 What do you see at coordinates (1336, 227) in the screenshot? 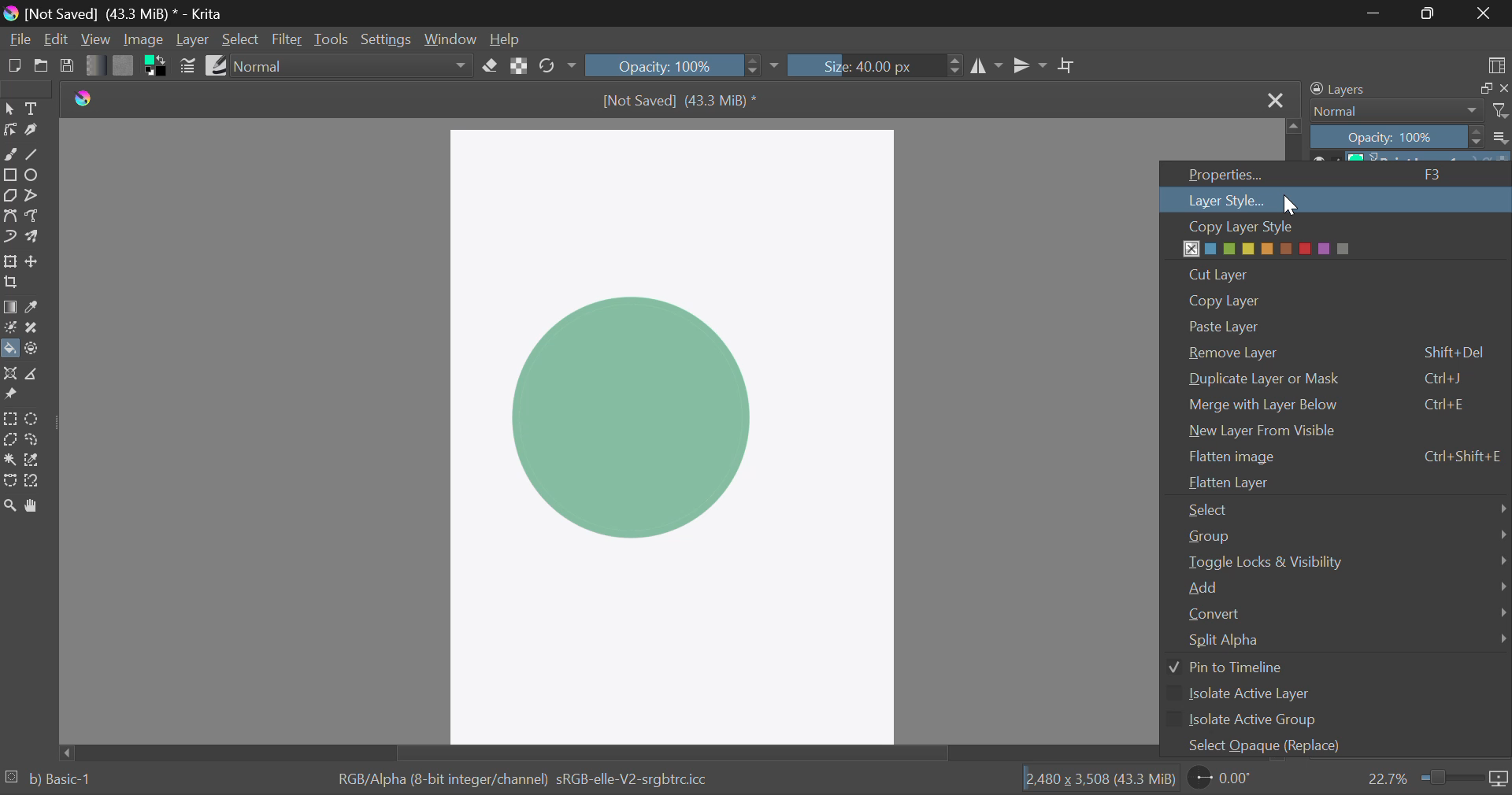
I see `Copy Layer Style` at bounding box center [1336, 227].